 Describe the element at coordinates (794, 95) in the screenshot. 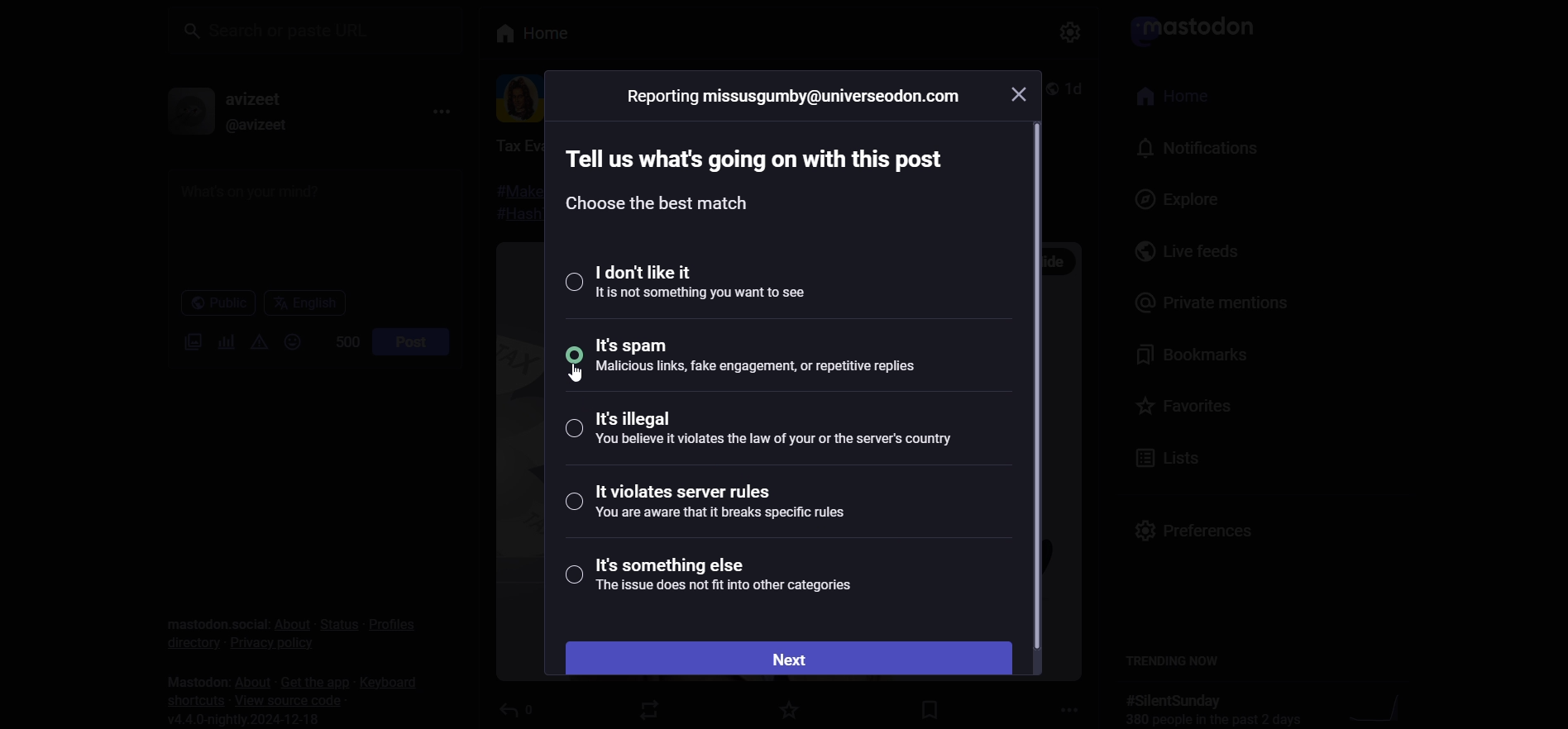

I see `information` at that location.